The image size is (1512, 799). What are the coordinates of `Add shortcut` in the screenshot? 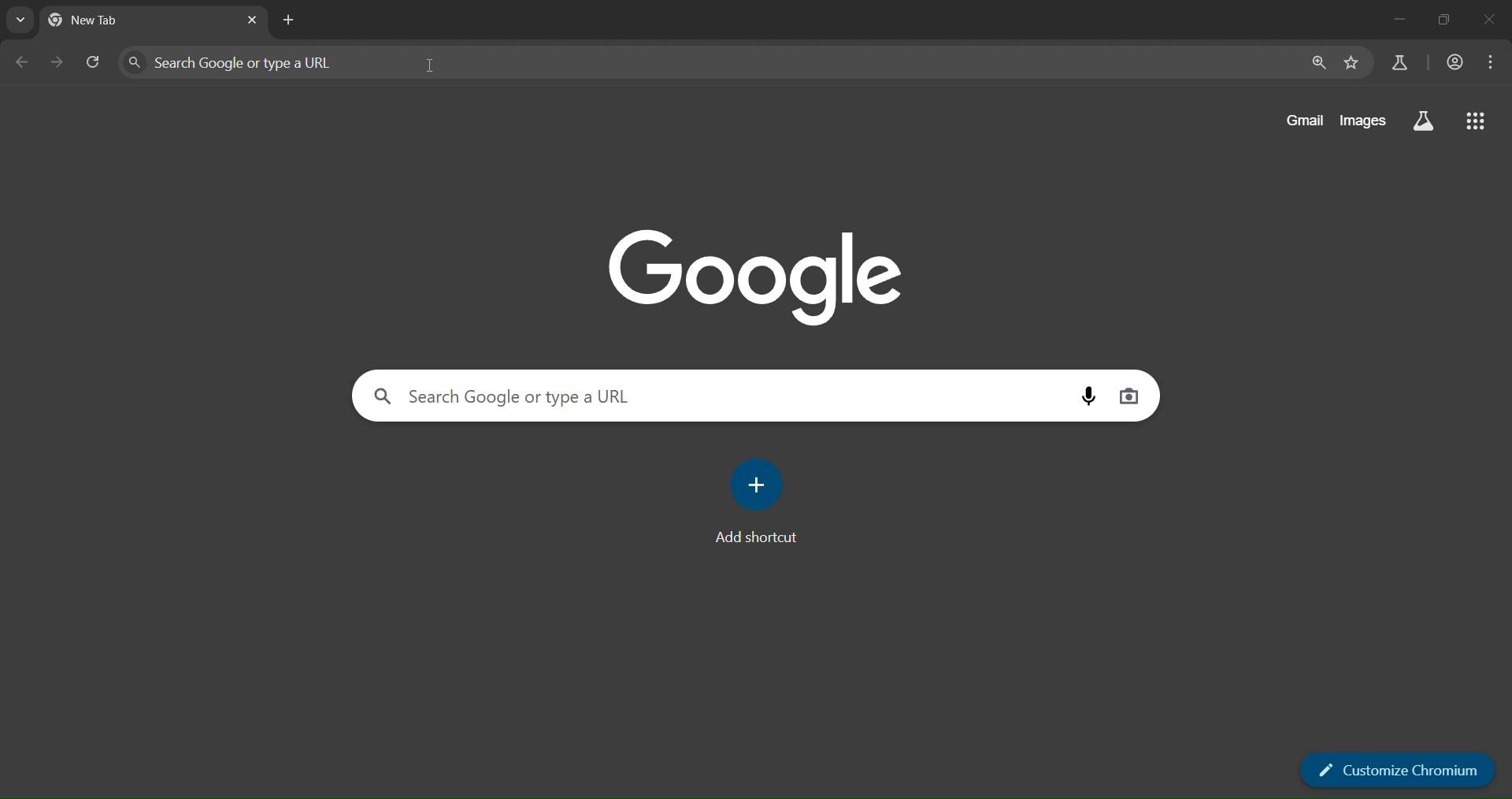 It's located at (754, 537).